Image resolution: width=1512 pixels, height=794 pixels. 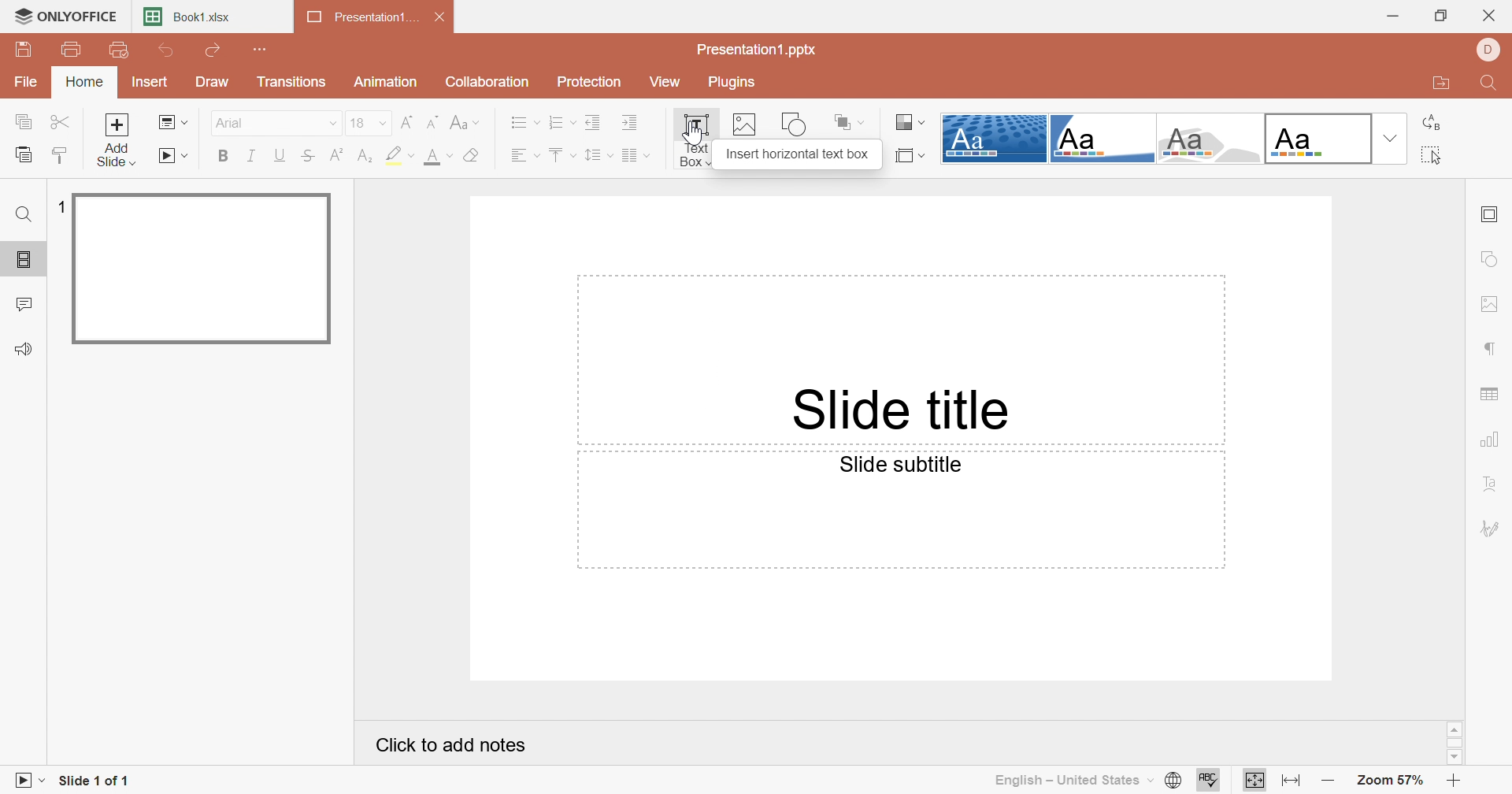 What do you see at coordinates (1208, 139) in the screenshot?
I see `Turtle` at bounding box center [1208, 139].